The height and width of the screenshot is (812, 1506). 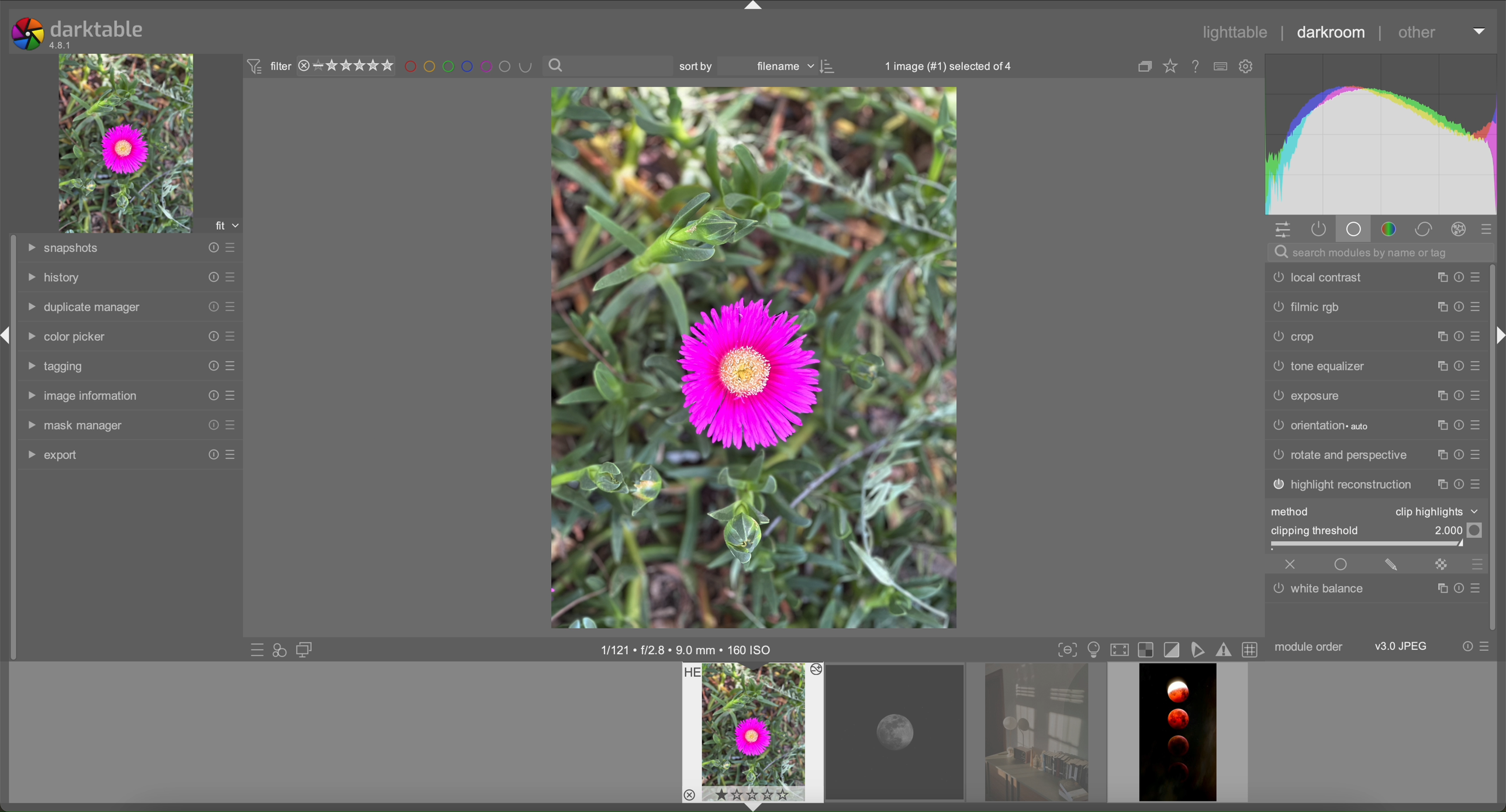 I want to click on presets, so click(x=231, y=247).